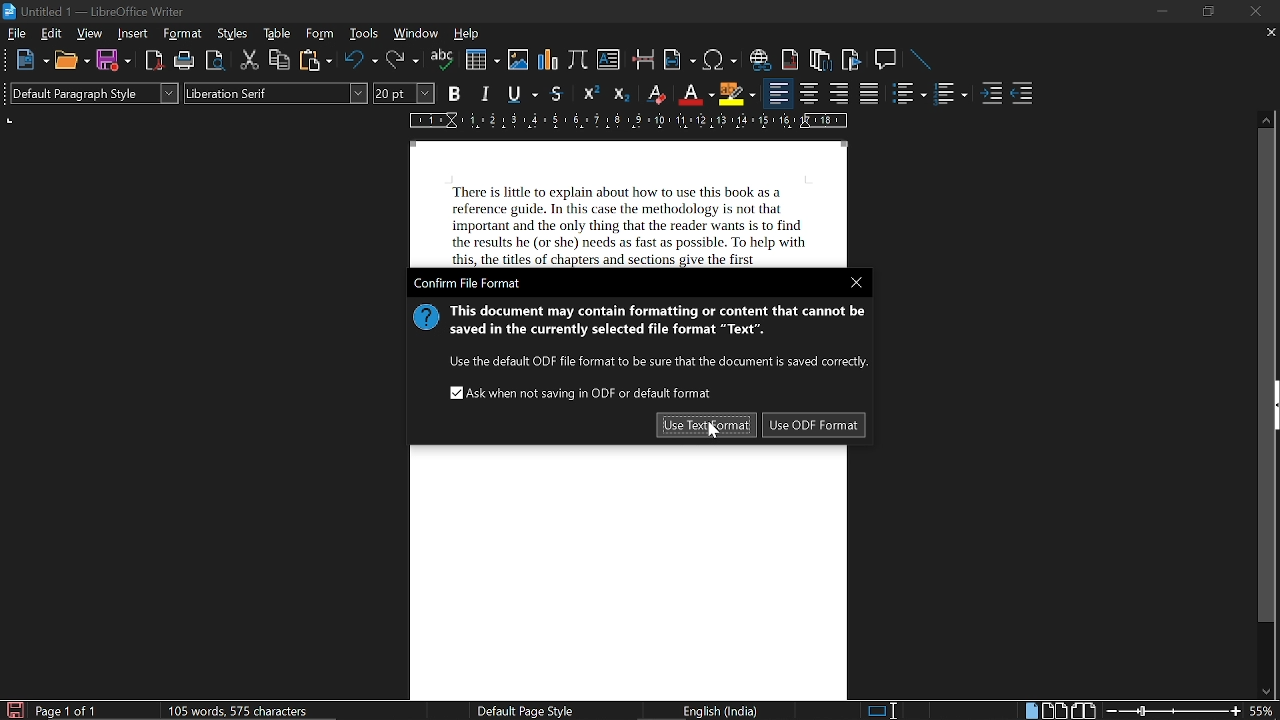 This screenshot has width=1280, height=720. Describe the element at coordinates (838, 94) in the screenshot. I see `align right` at that location.